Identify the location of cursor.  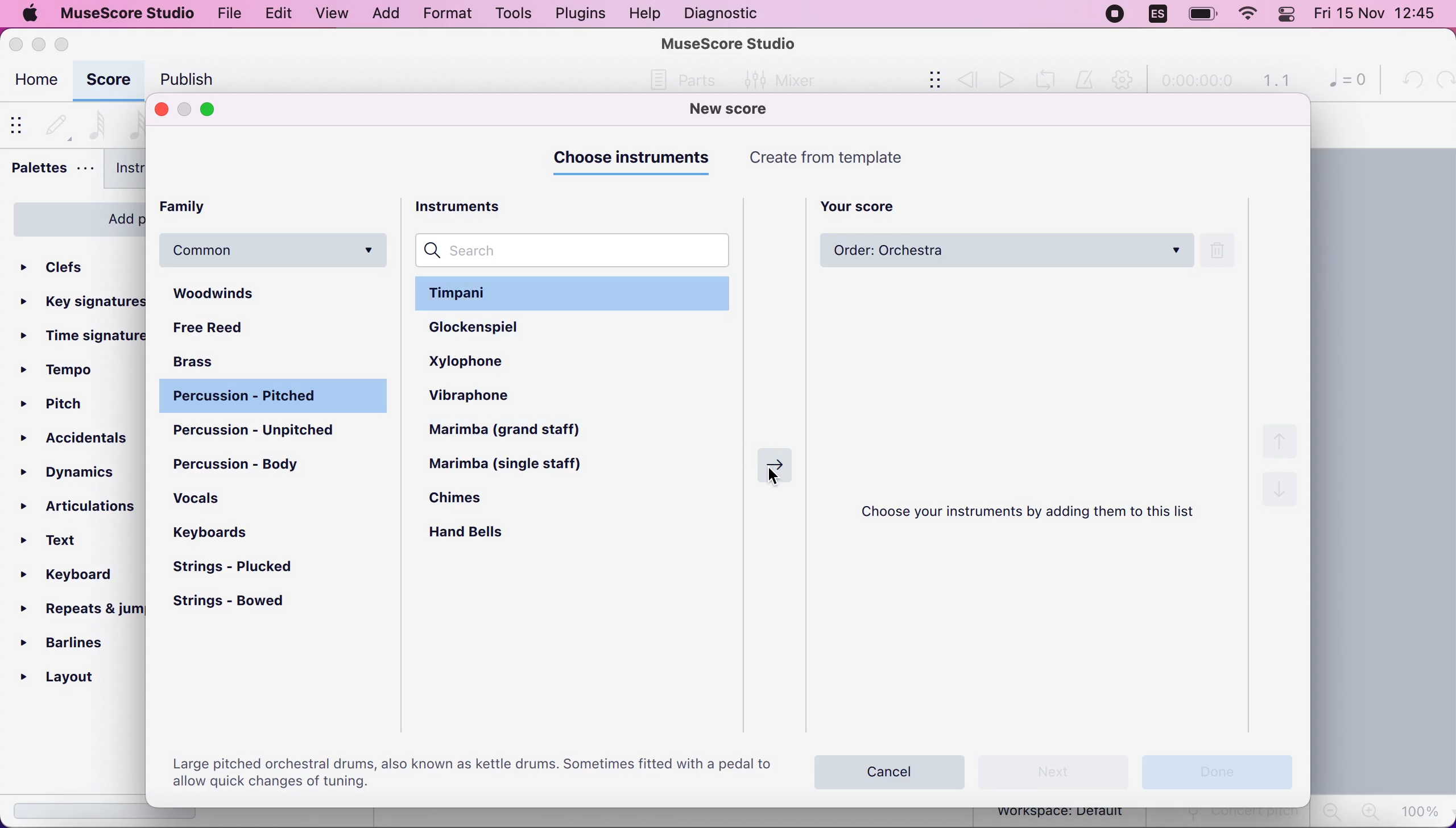
(780, 479).